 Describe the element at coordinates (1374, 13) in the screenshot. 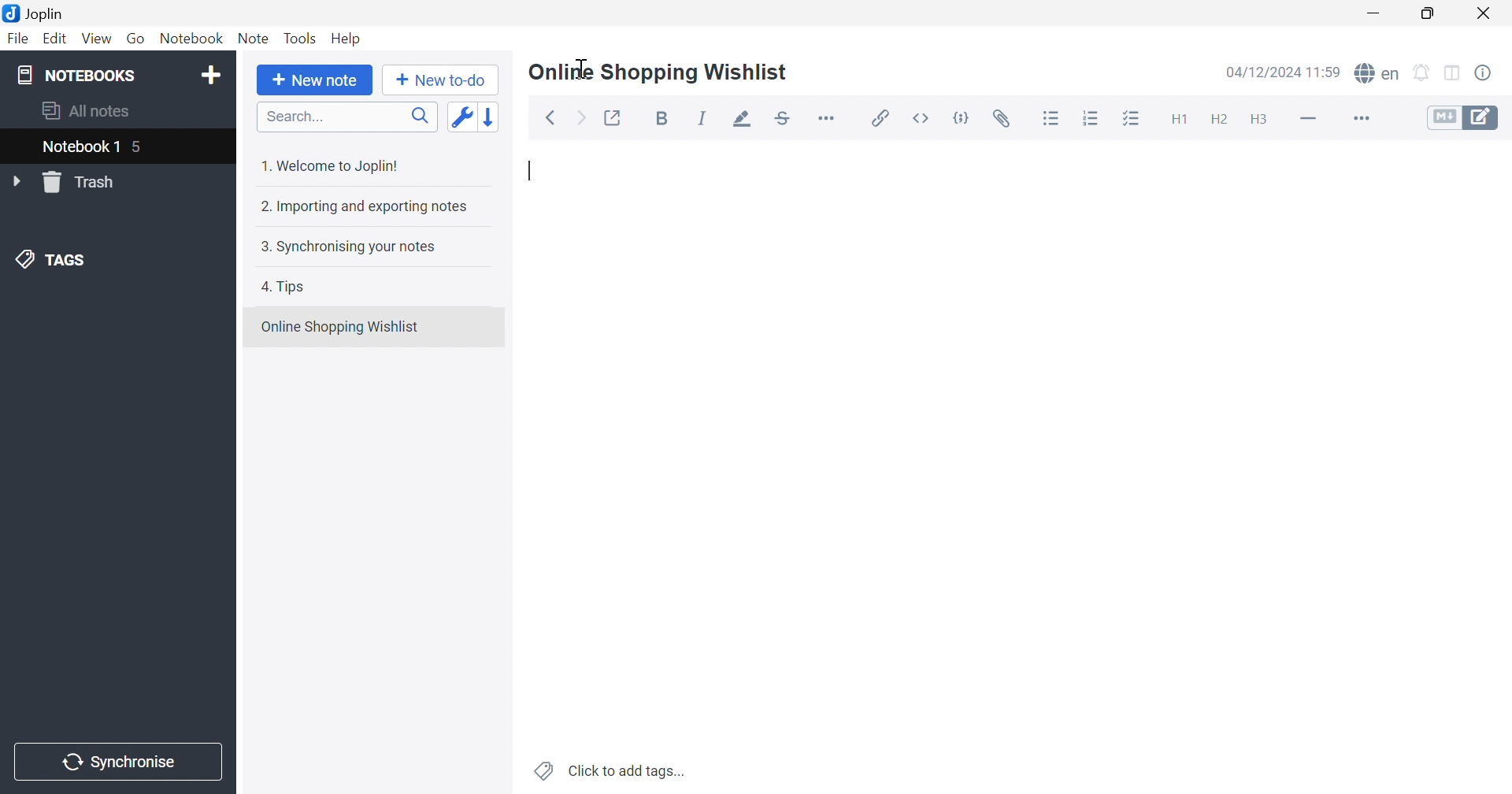

I see `Minimize` at that location.